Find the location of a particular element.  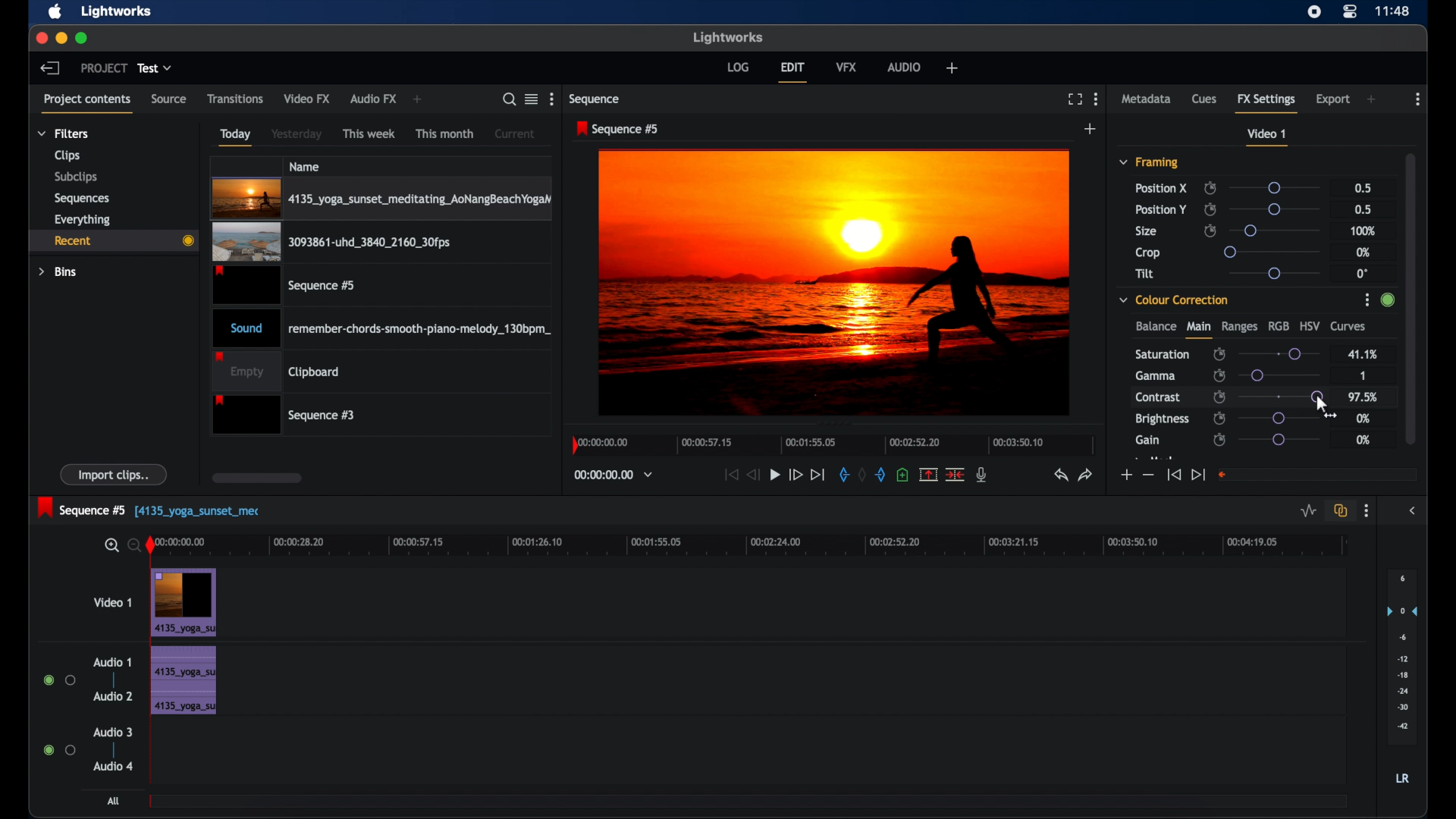

clear marks is located at coordinates (863, 475).